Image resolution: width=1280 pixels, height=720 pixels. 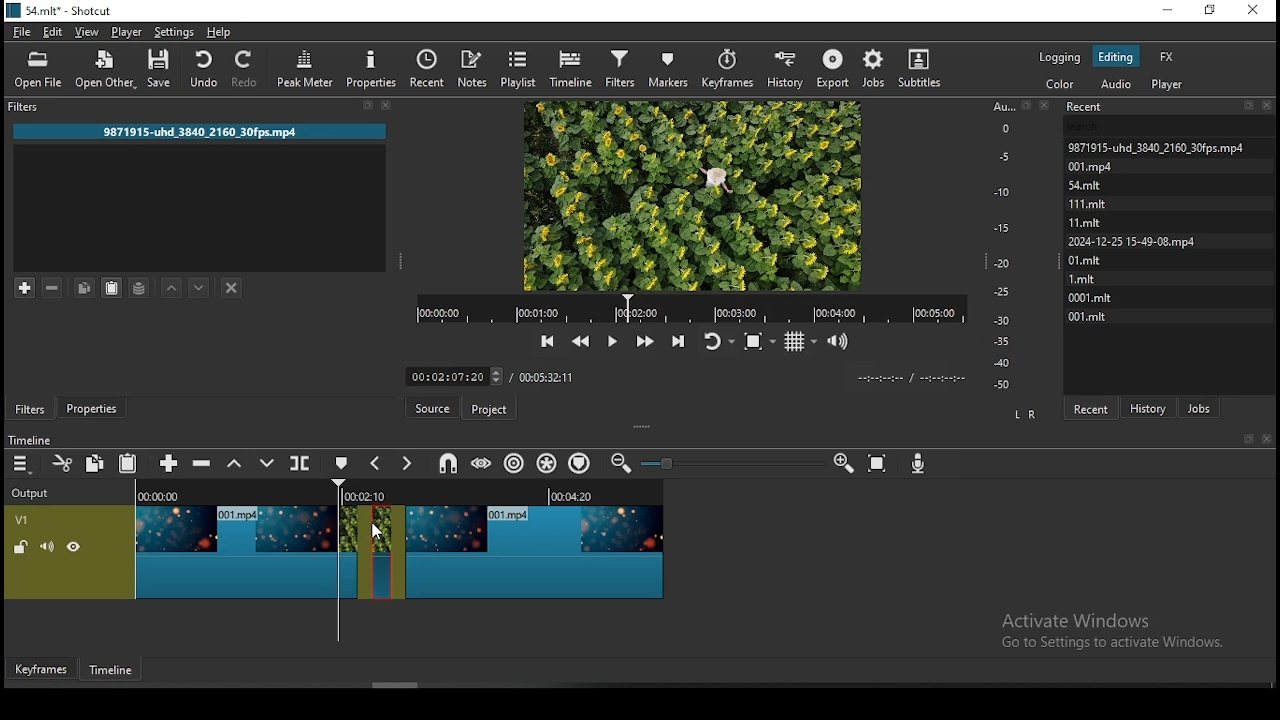 I want to click on paste, so click(x=111, y=288).